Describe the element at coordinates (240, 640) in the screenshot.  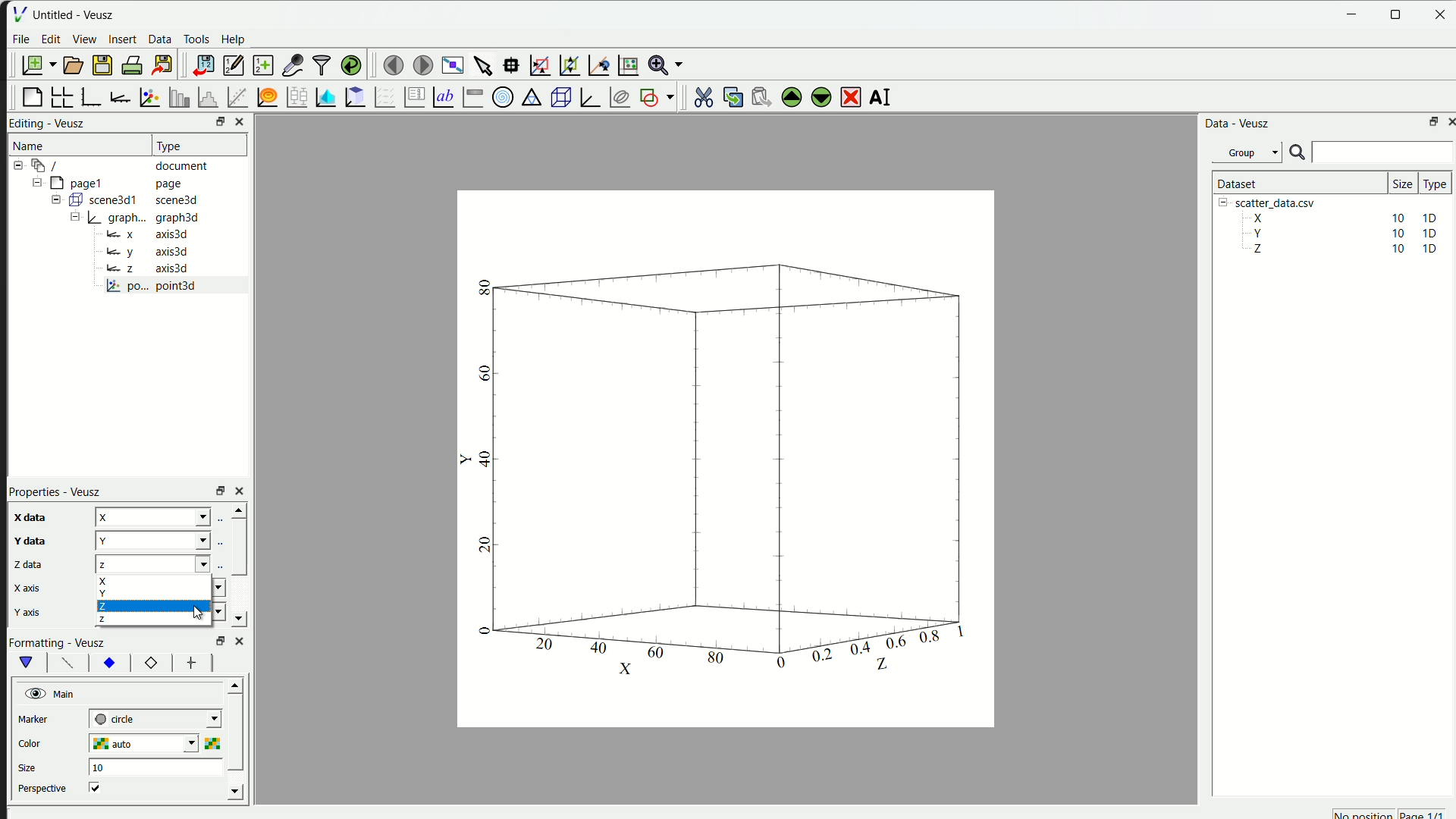
I see `close` at that location.